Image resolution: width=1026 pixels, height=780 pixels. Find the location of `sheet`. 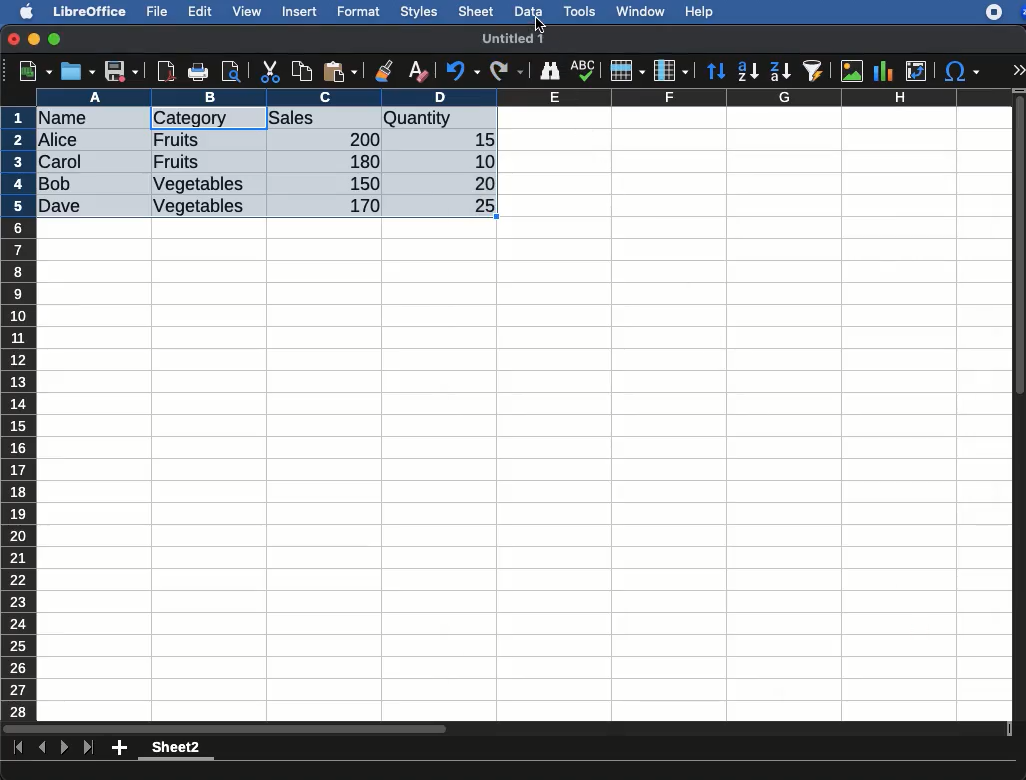

sheet is located at coordinates (477, 11).